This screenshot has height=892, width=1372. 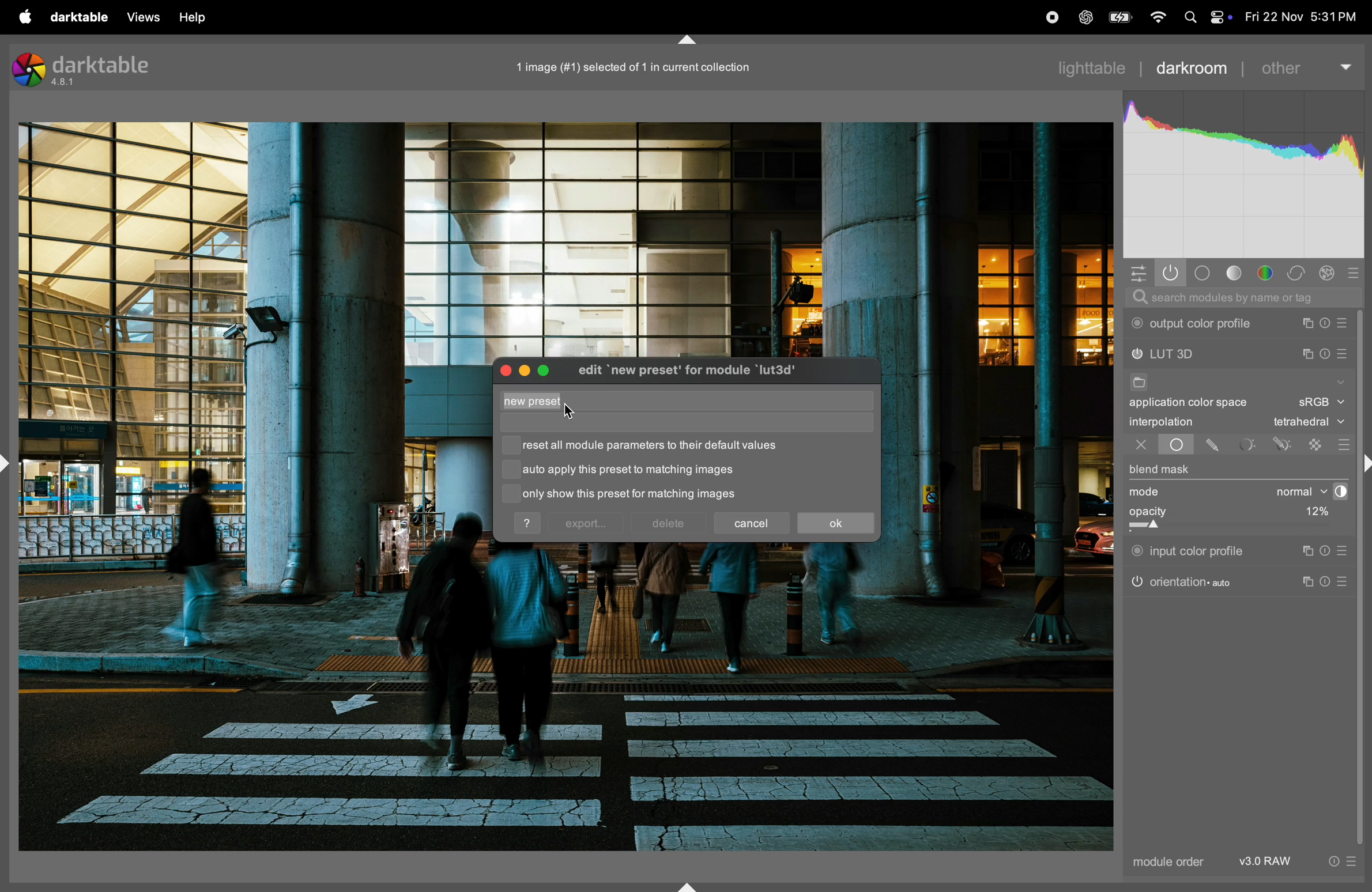 I want to click on darktable, so click(x=75, y=16).